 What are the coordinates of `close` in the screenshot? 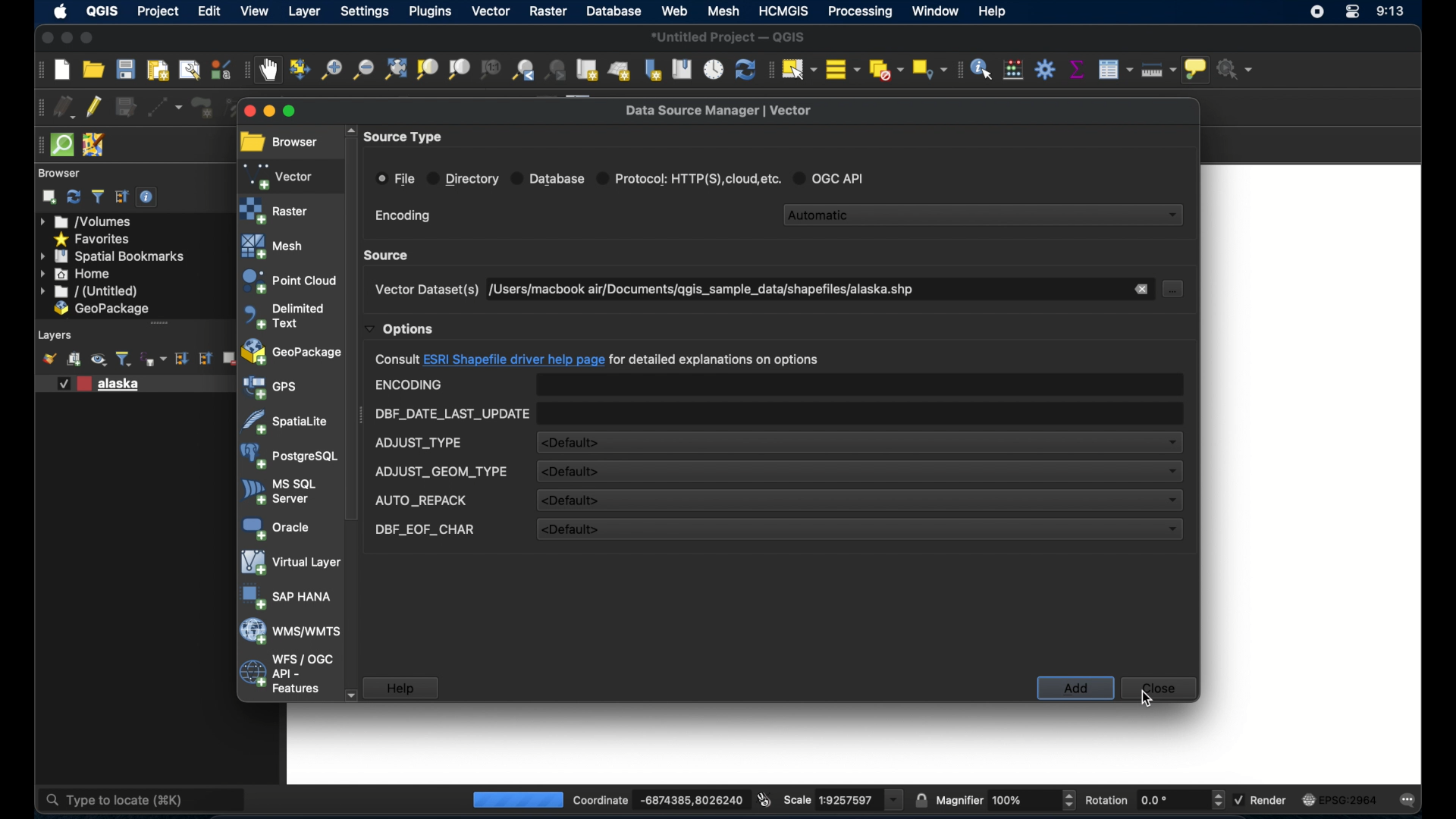 It's located at (1156, 687).